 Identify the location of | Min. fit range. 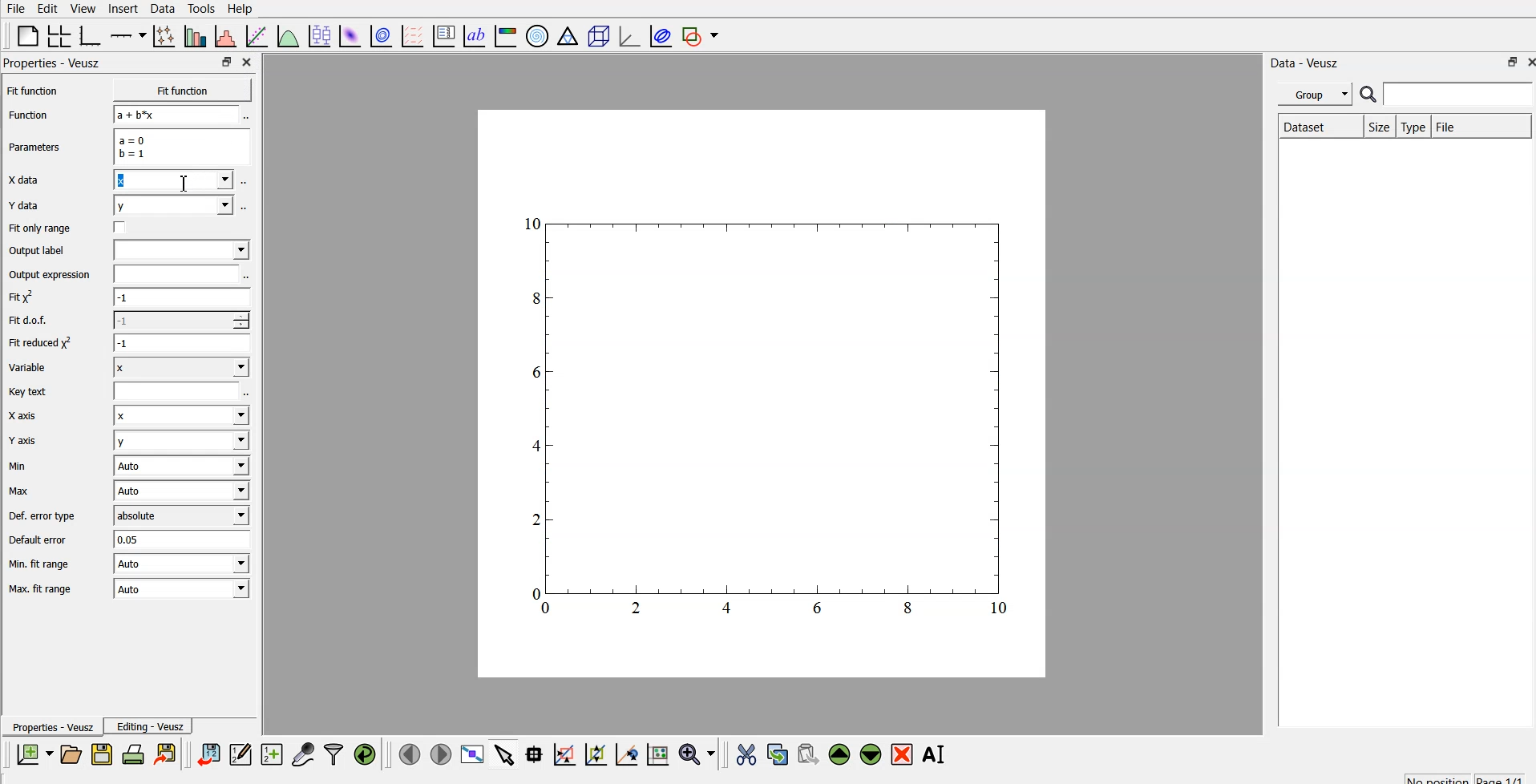
(39, 564).